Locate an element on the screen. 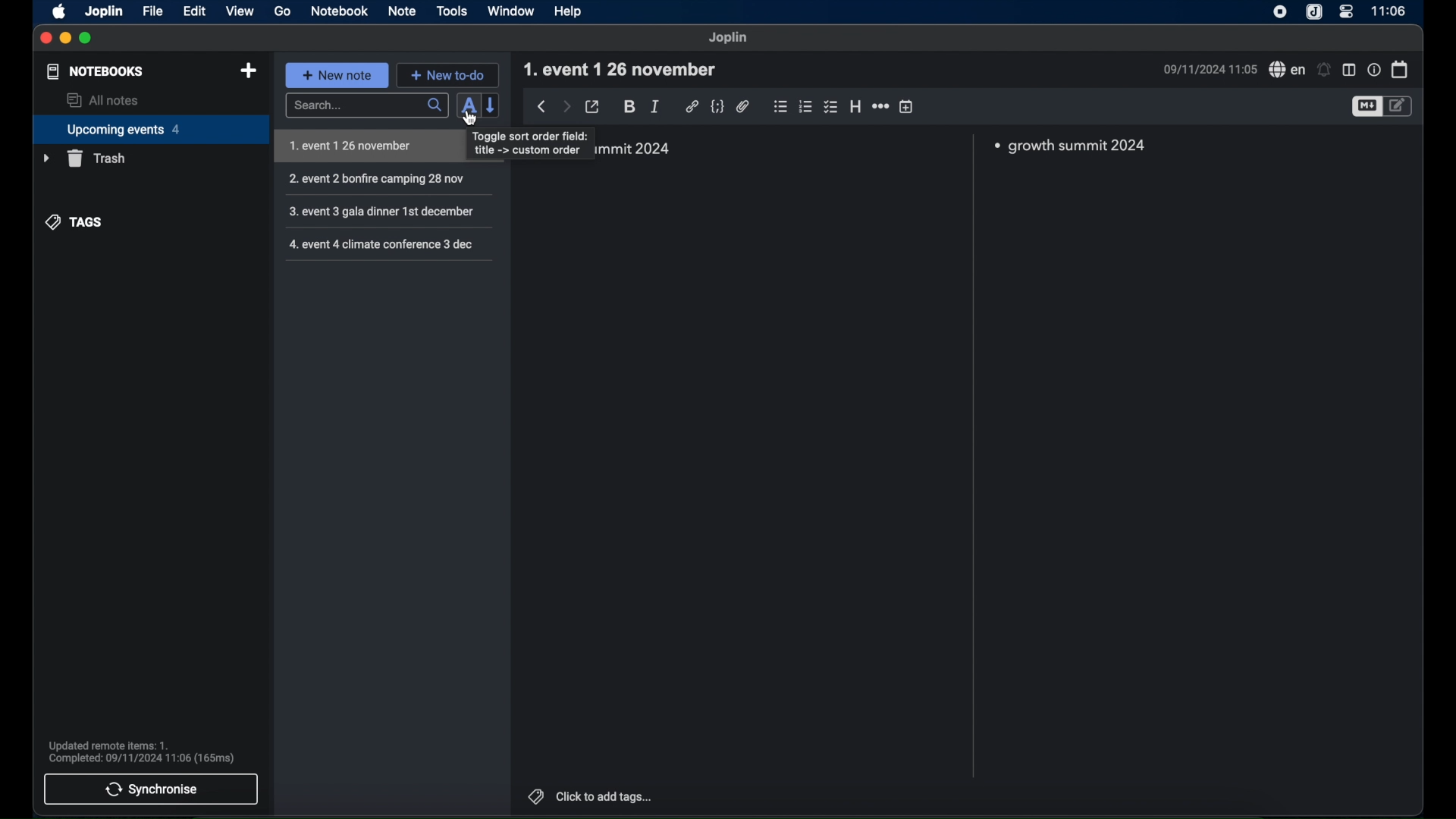  control center is located at coordinates (1346, 11).